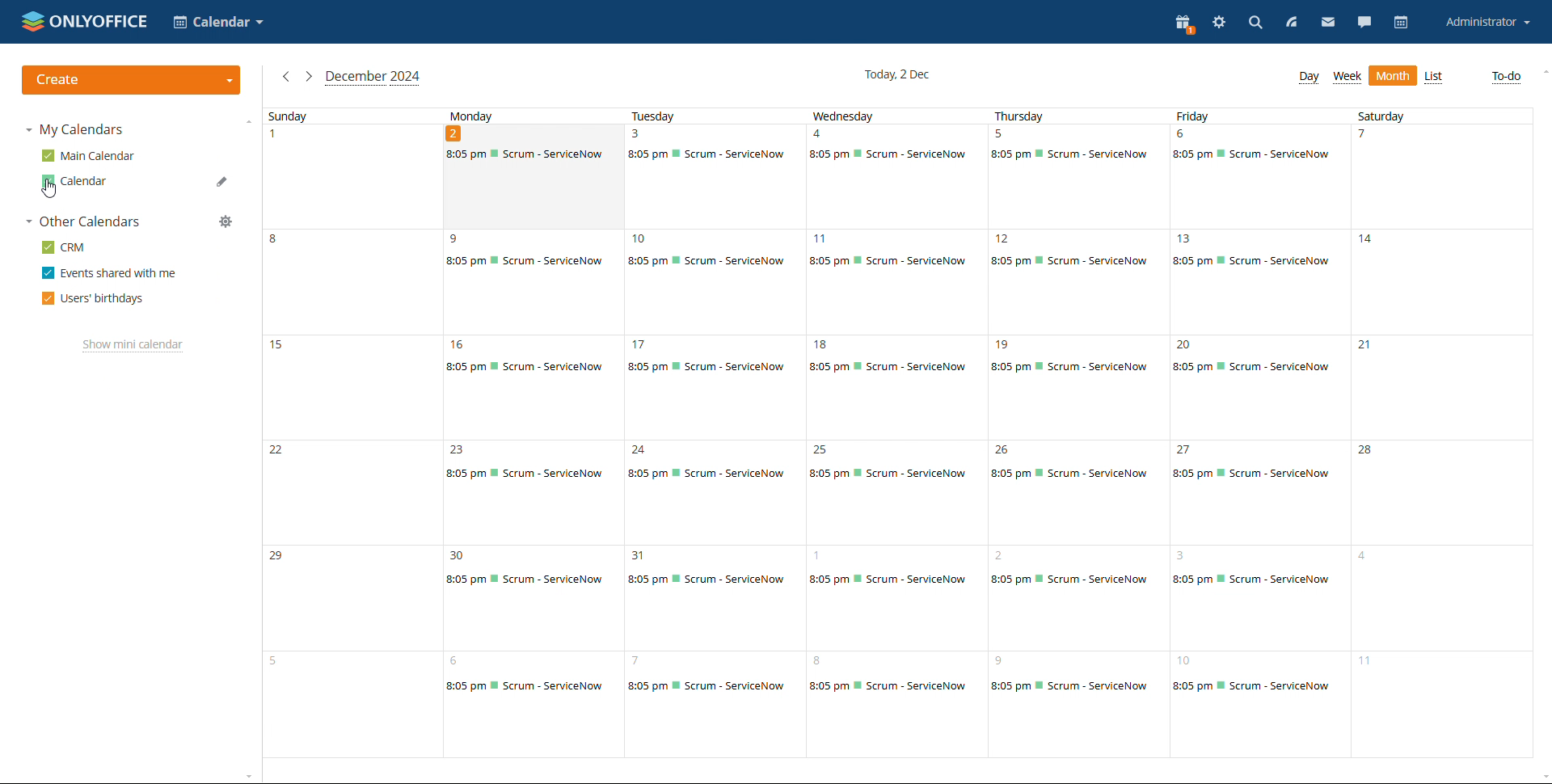 The image size is (1552, 784). What do you see at coordinates (1401, 23) in the screenshot?
I see `calendar` at bounding box center [1401, 23].